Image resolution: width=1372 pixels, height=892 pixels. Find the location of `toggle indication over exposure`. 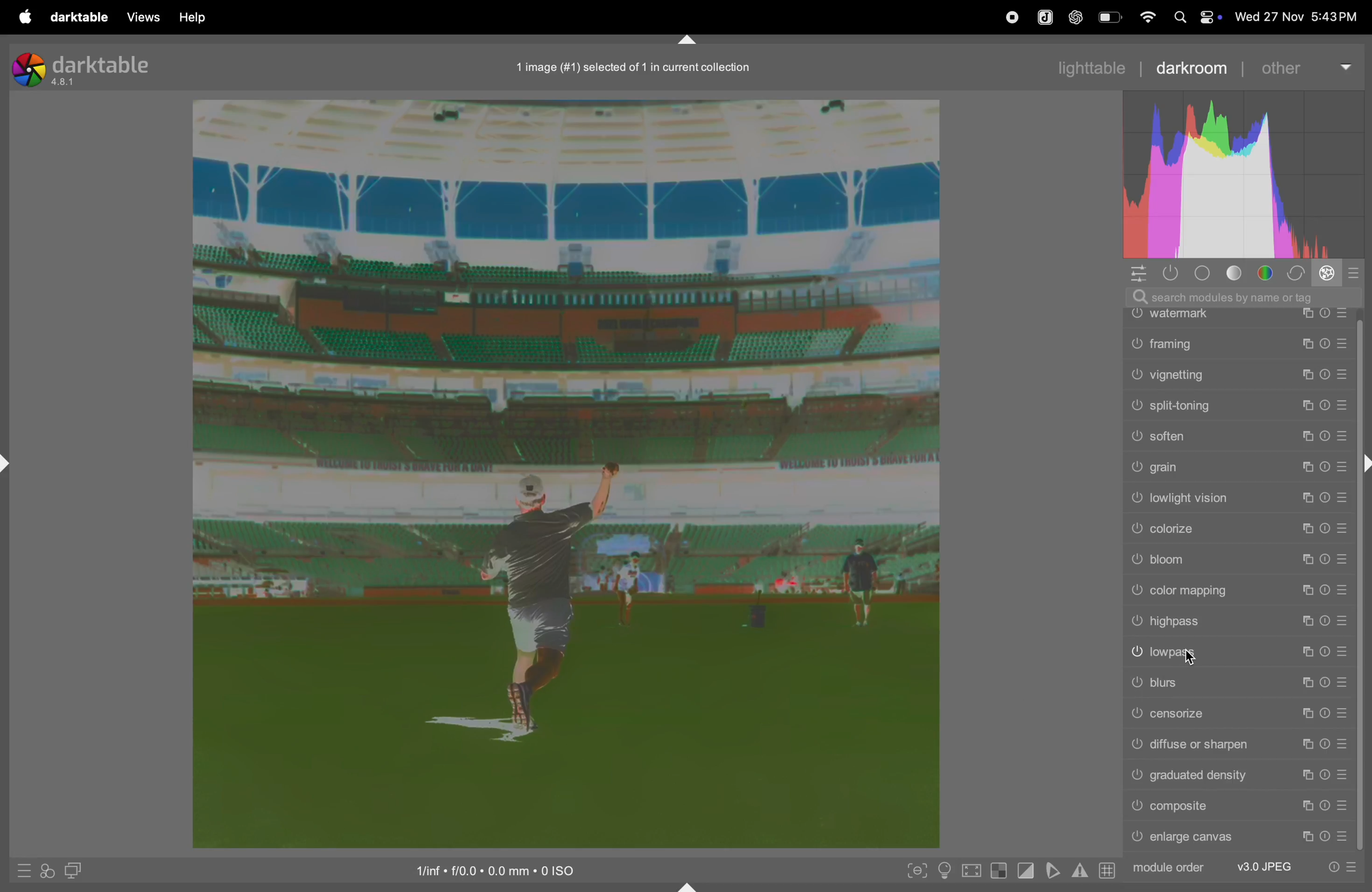

toggle indication over exposure is located at coordinates (1001, 872).